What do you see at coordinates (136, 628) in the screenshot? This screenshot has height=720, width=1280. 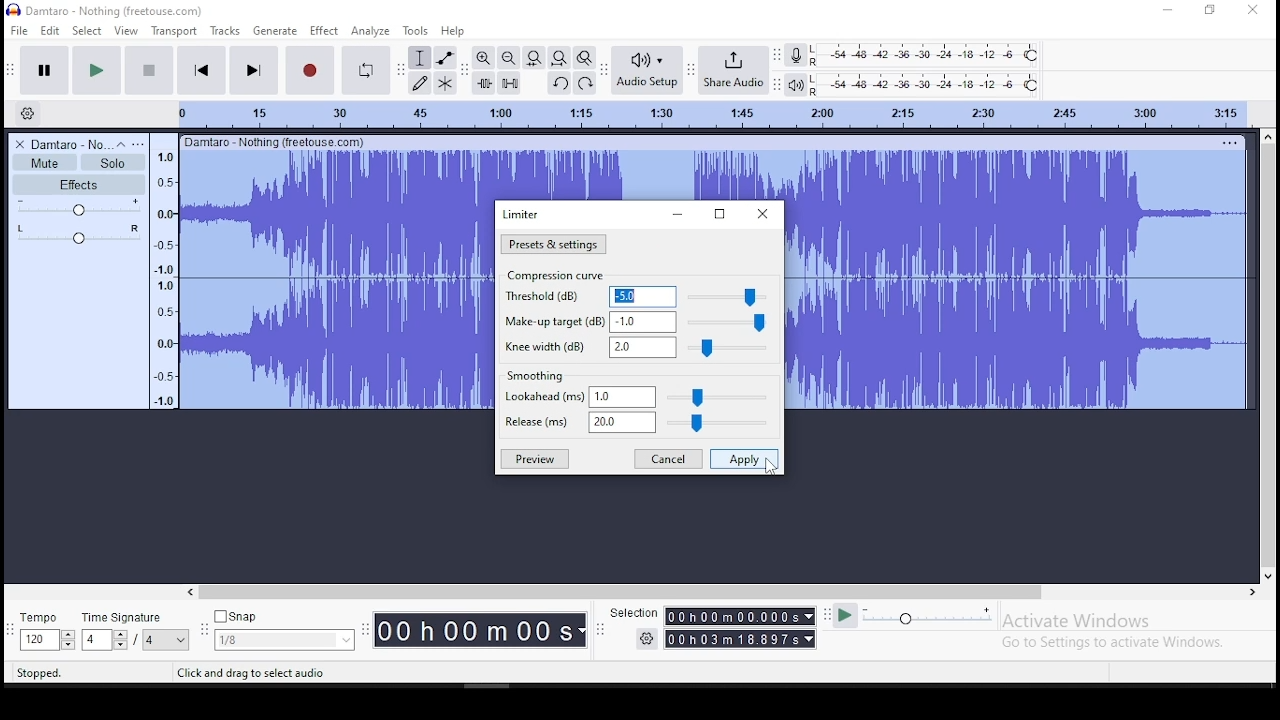 I see `time signature` at bounding box center [136, 628].